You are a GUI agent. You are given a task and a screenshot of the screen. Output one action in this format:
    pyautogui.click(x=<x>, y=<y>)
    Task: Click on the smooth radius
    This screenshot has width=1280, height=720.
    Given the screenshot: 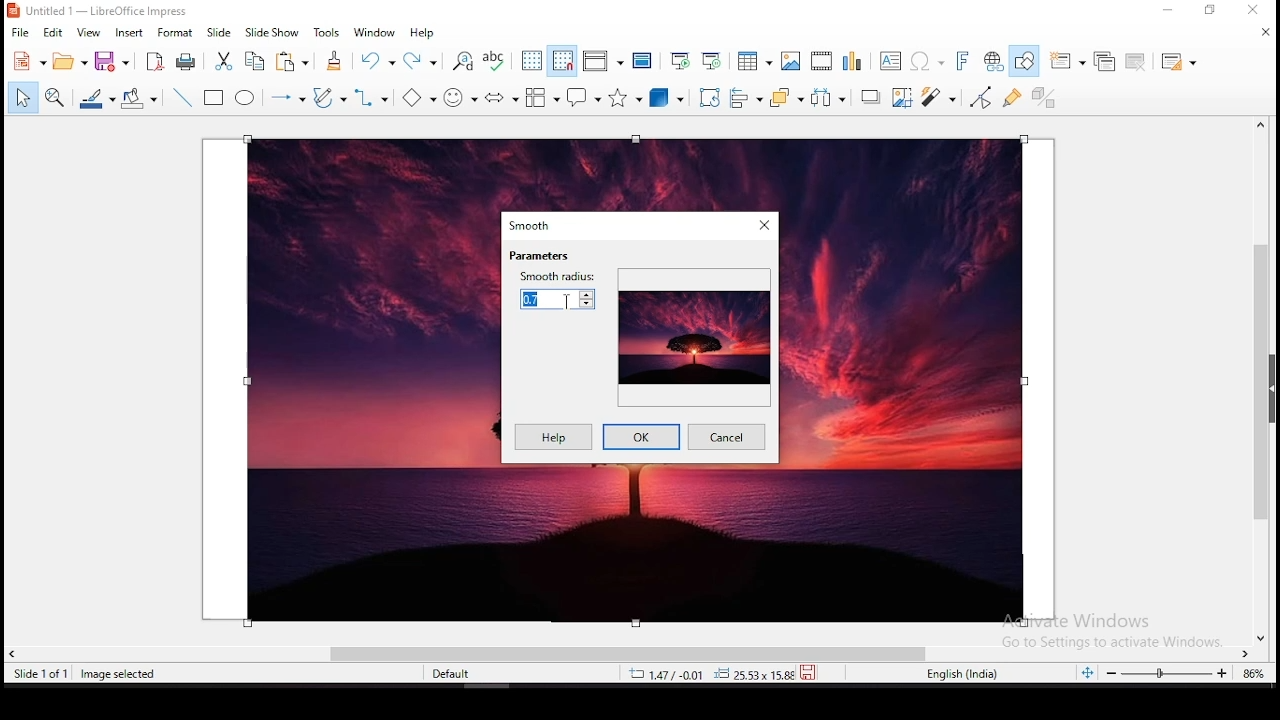 What is the action you would take?
    pyautogui.click(x=556, y=290)
    